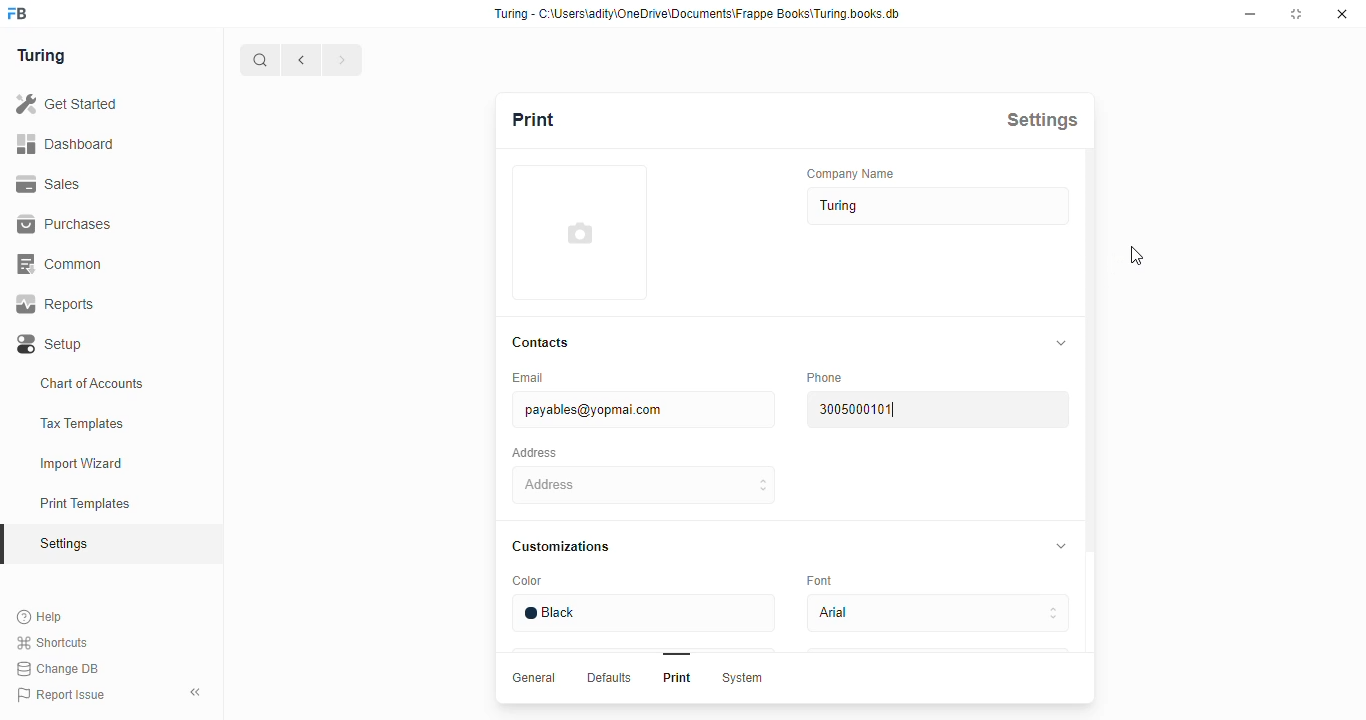  I want to click on Email, so click(542, 378).